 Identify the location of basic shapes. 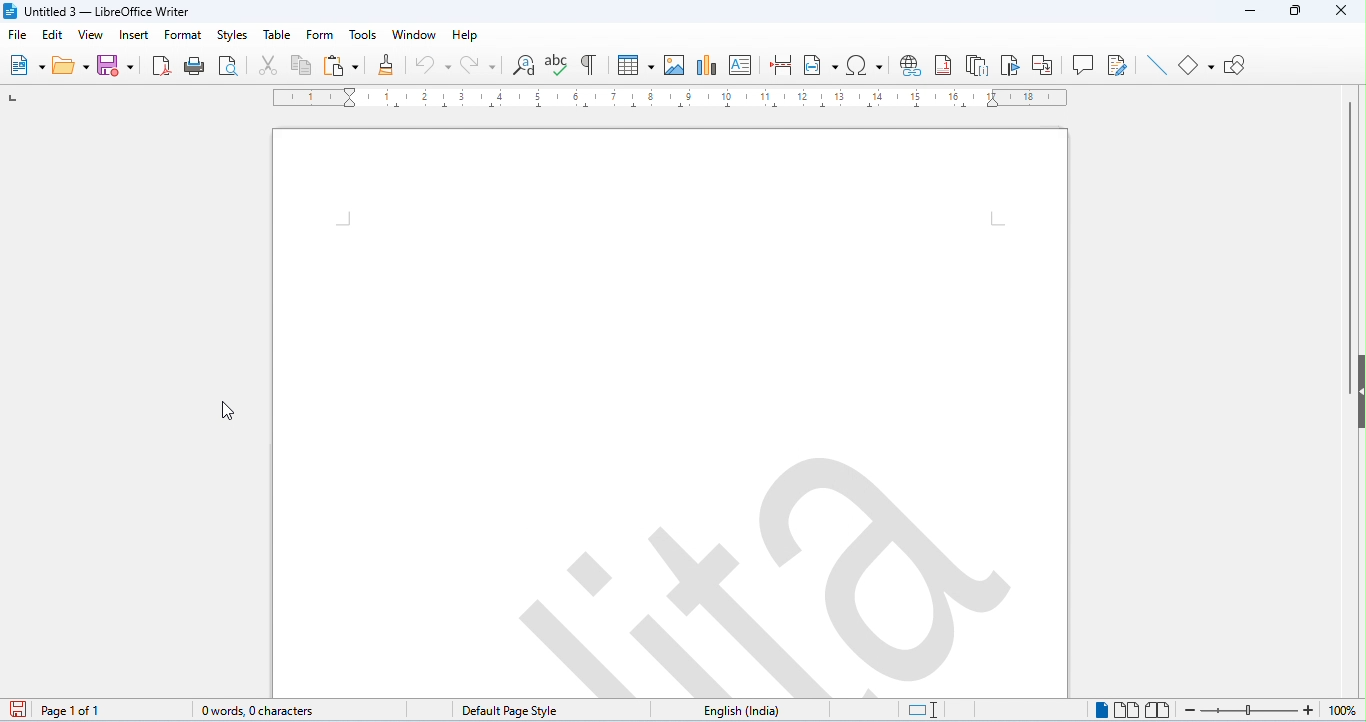
(1198, 66).